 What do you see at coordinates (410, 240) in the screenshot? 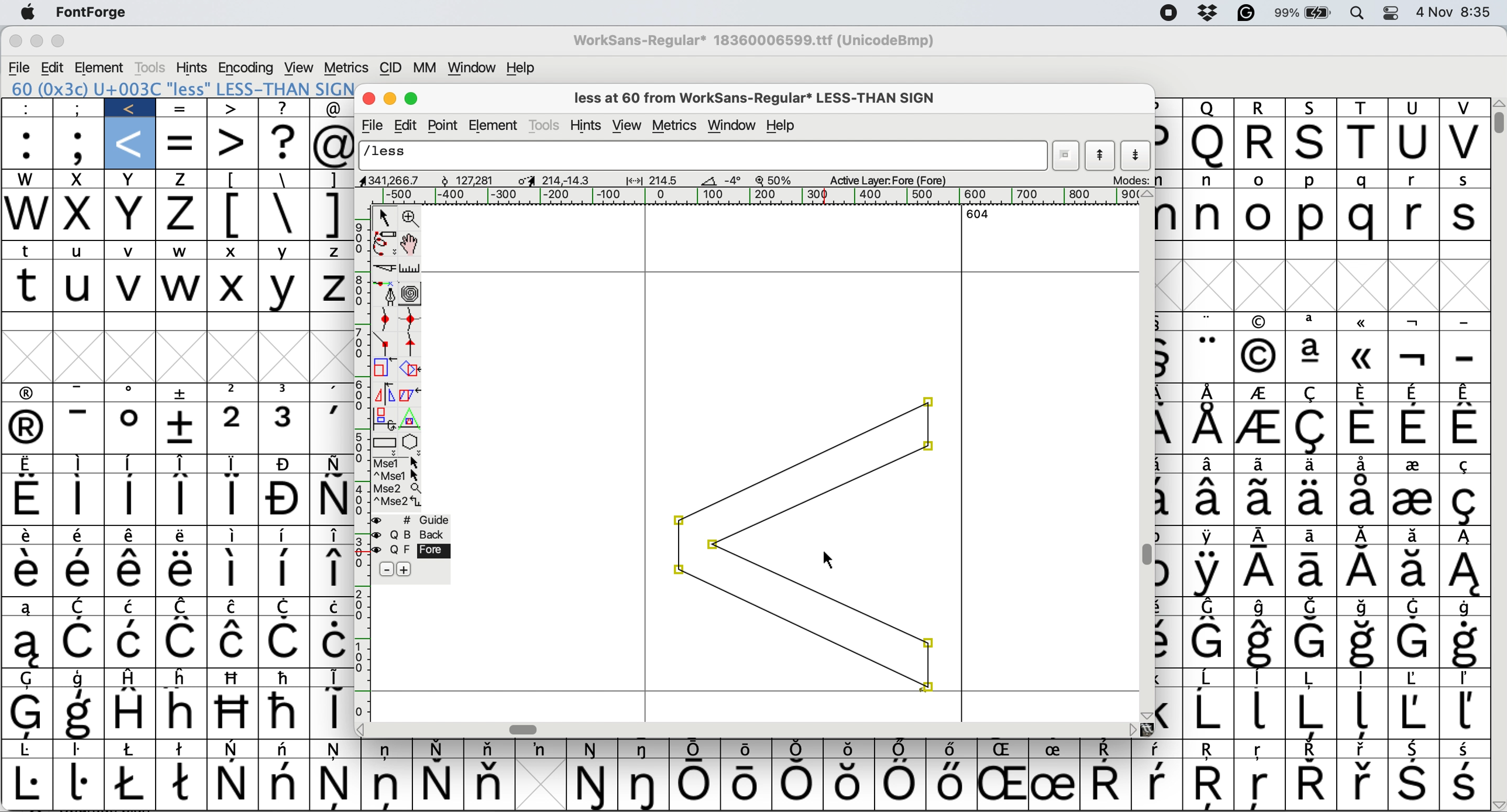
I see `scroll by hand` at bounding box center [410, 240].